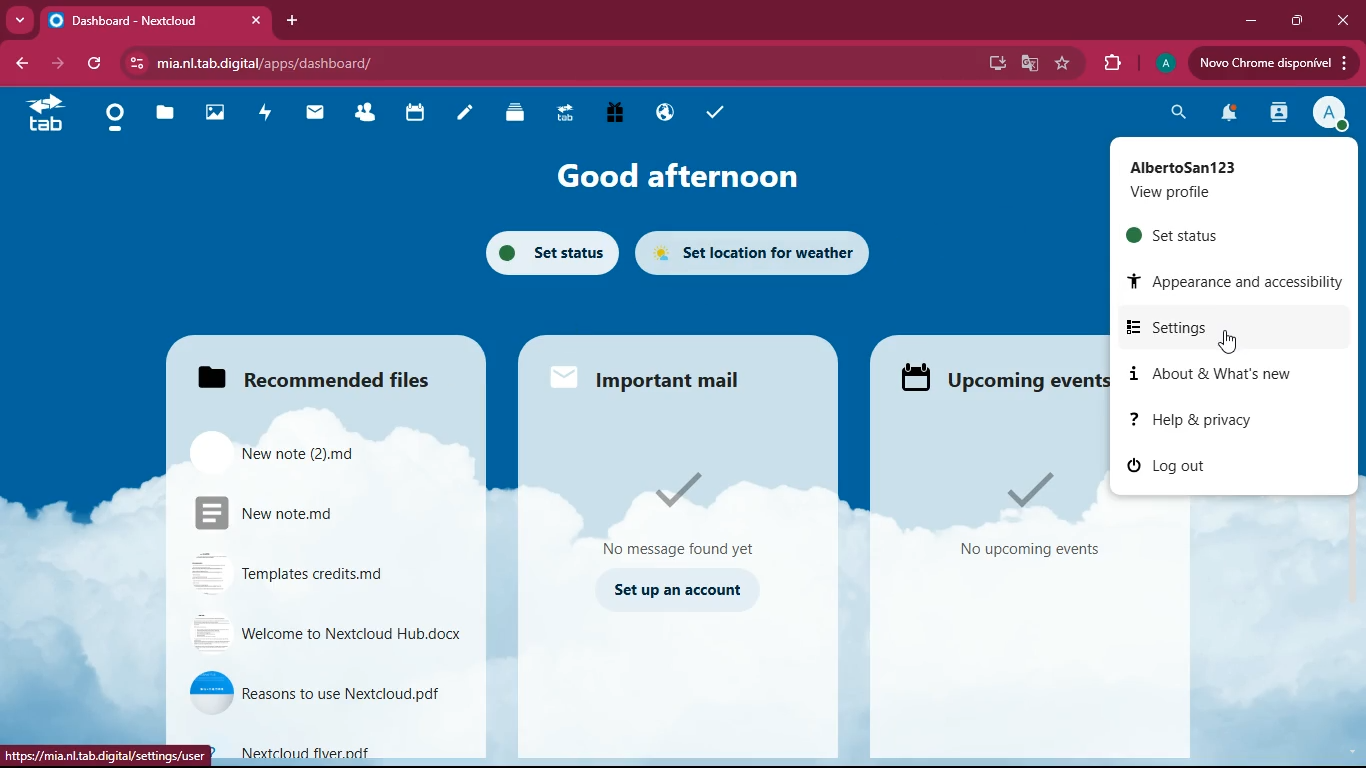 Image resolution: width=1366 pixels, height=768 pixels. What do you see at coordinates (324, 451) in the screenshot?
I see `files` at bounding box center [324, 451].